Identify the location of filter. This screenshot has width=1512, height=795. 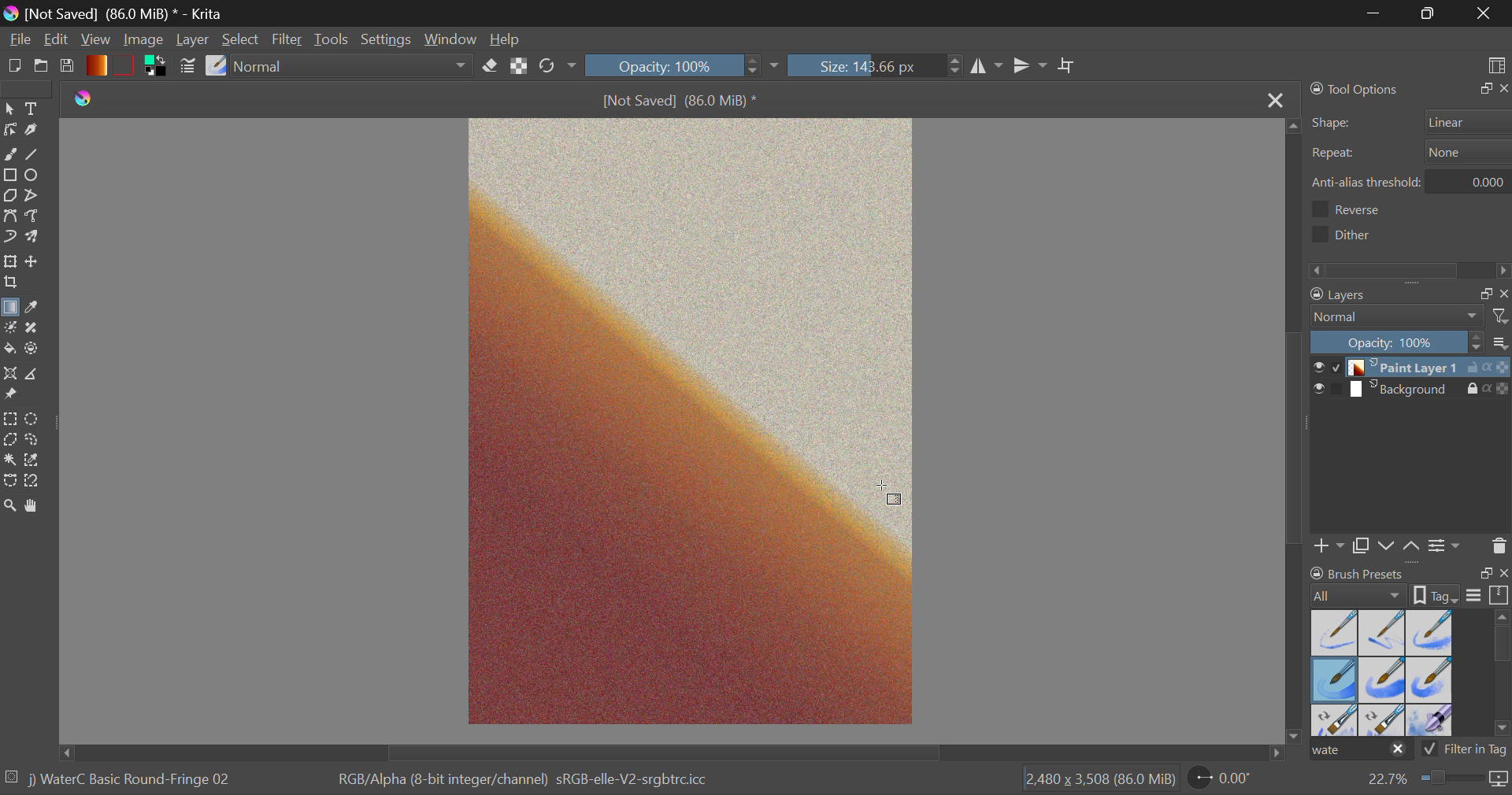
(1503, 316).